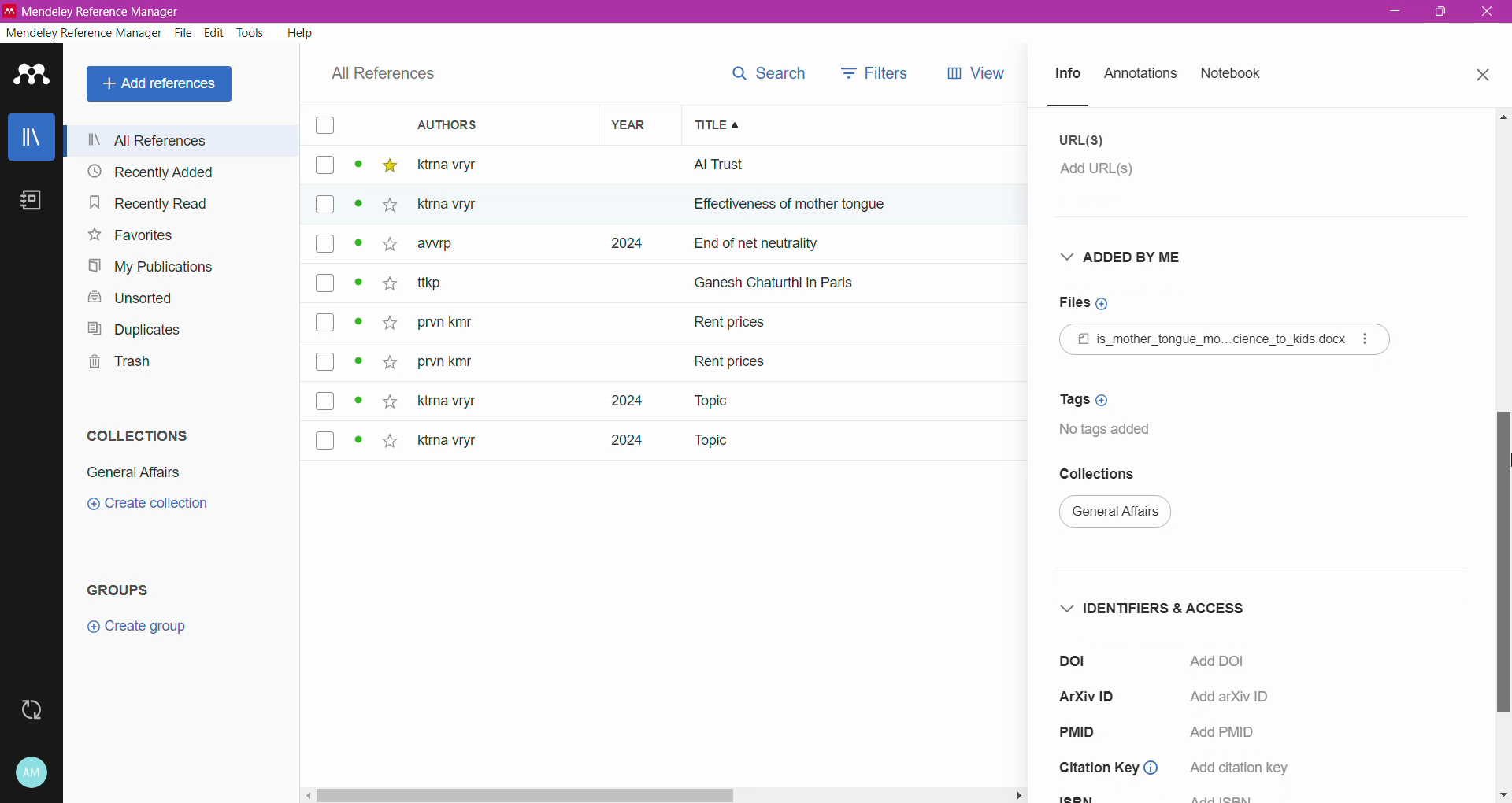 This screenshot has width=1512, height=803. I want to click on Recently Read, so click(166, 202).